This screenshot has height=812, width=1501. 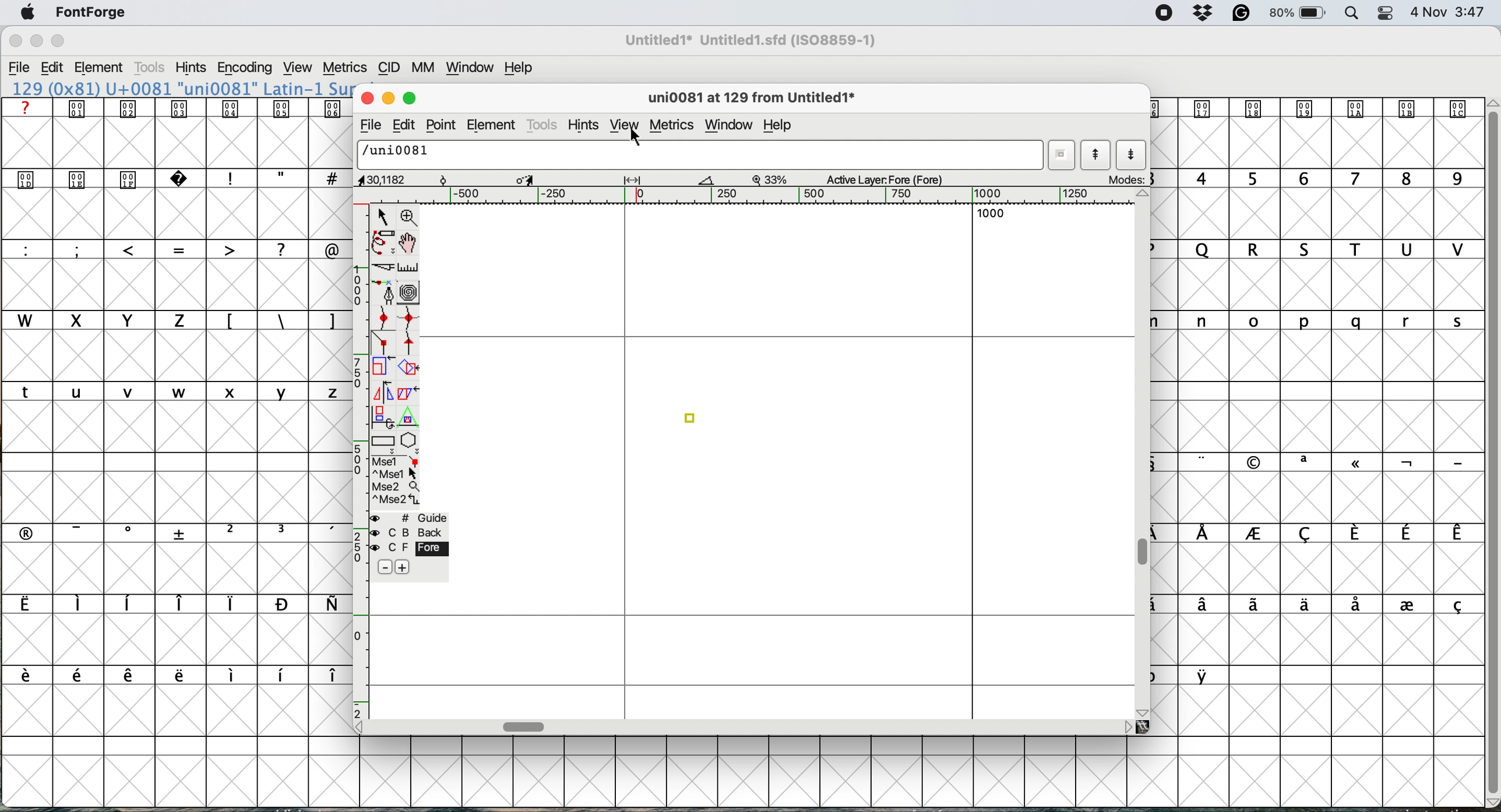 What do you see at coordinates (38, 41) in the screenshot?
I see `Minimize` at bounding box center [38, 41].